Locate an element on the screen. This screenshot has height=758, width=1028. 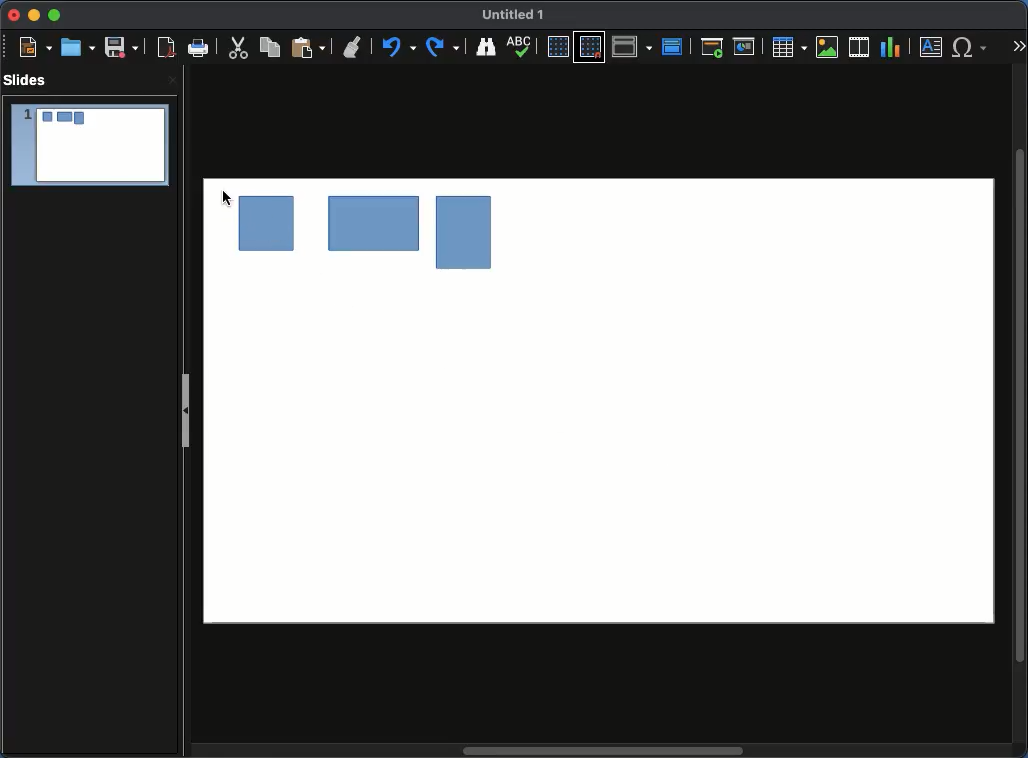
More is located at coordinates (1018, 41).